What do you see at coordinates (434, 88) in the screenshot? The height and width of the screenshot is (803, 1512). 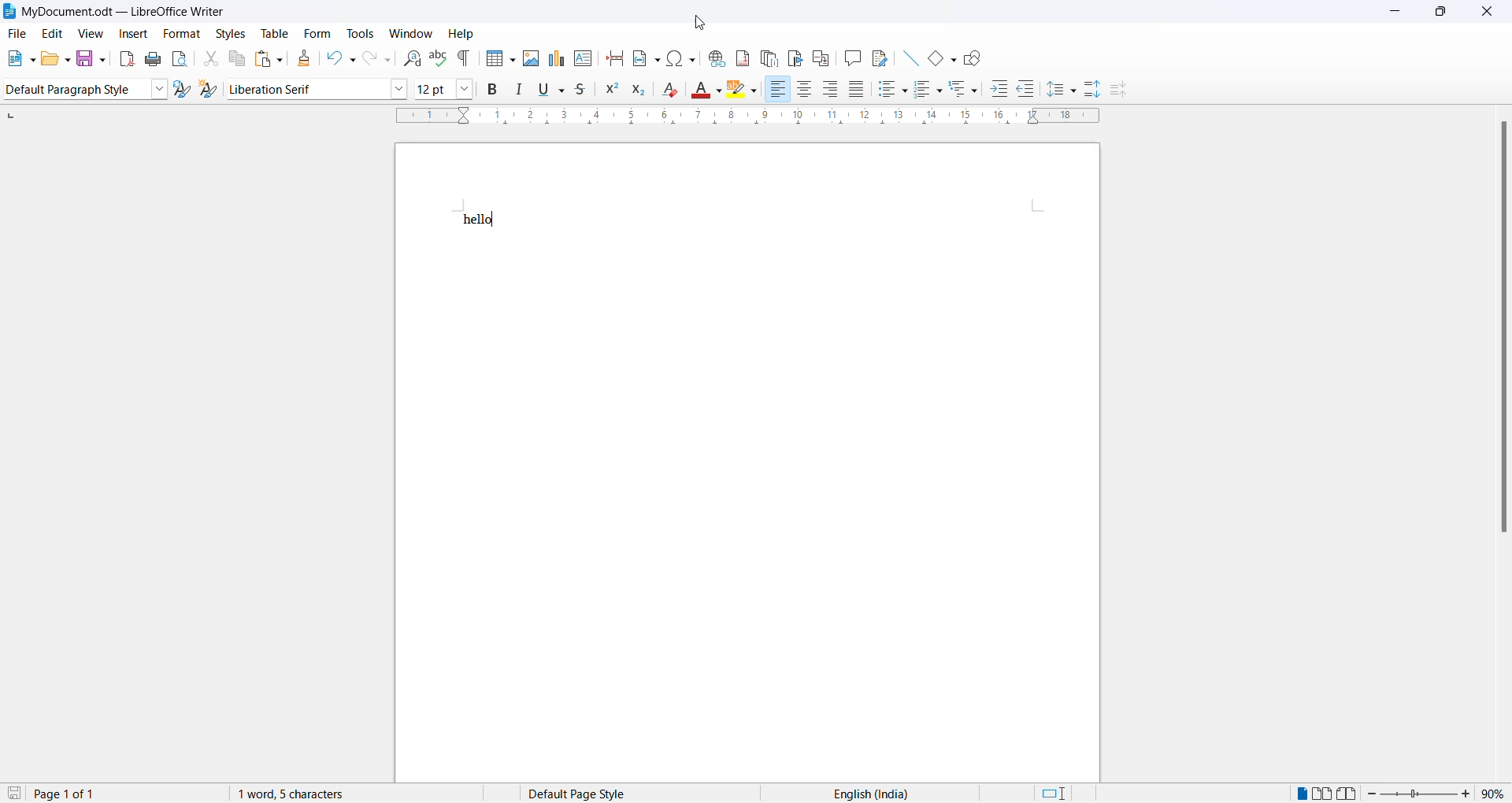 I see `Current selected font size` at bounding box center [434, 88].